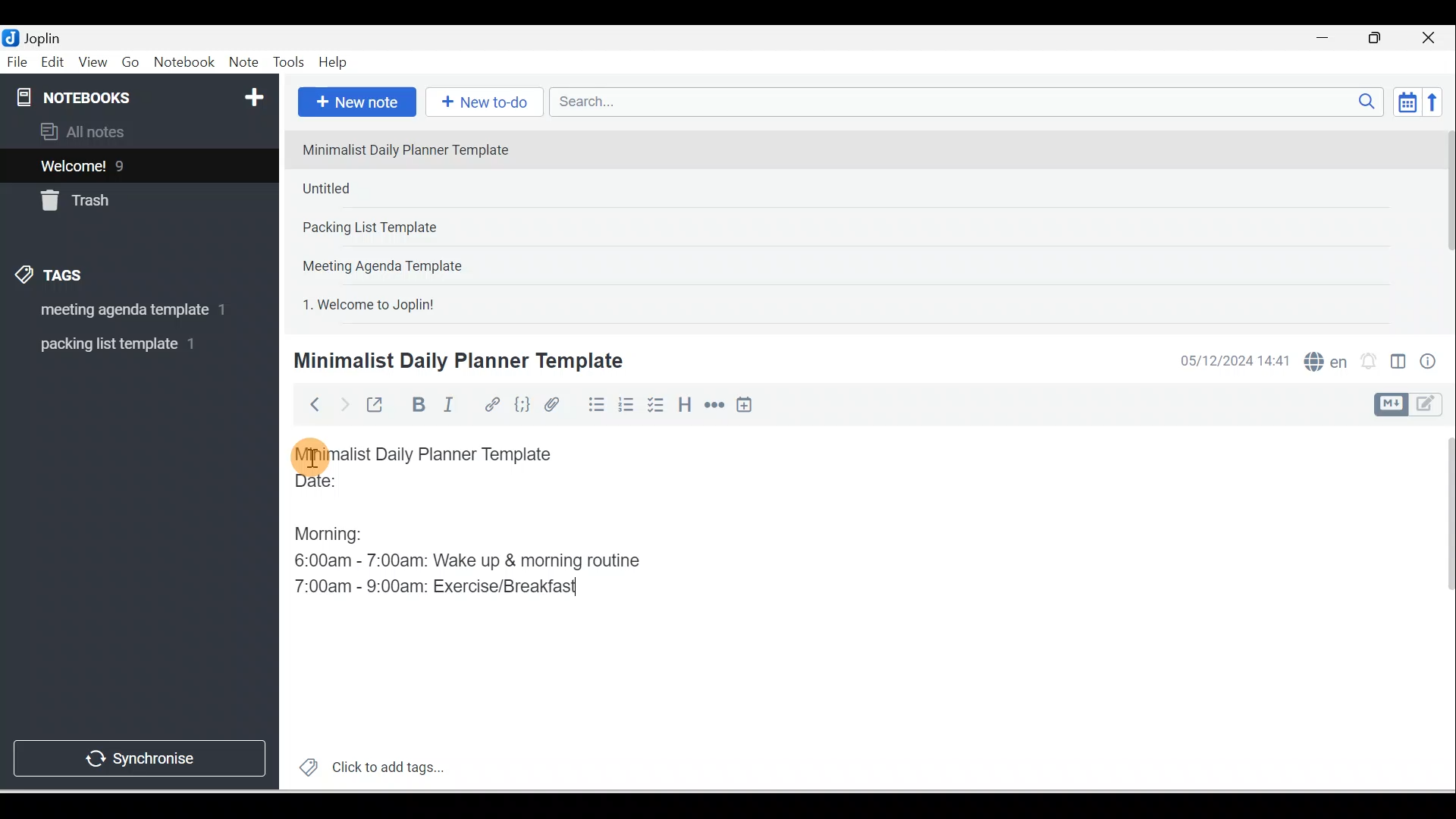 This screenshot has width=1456, height=819. What do you see at coordinates (1407, 101) in the screenshot?
I see `Toggle sort order` at bounding box center [1407, 101].